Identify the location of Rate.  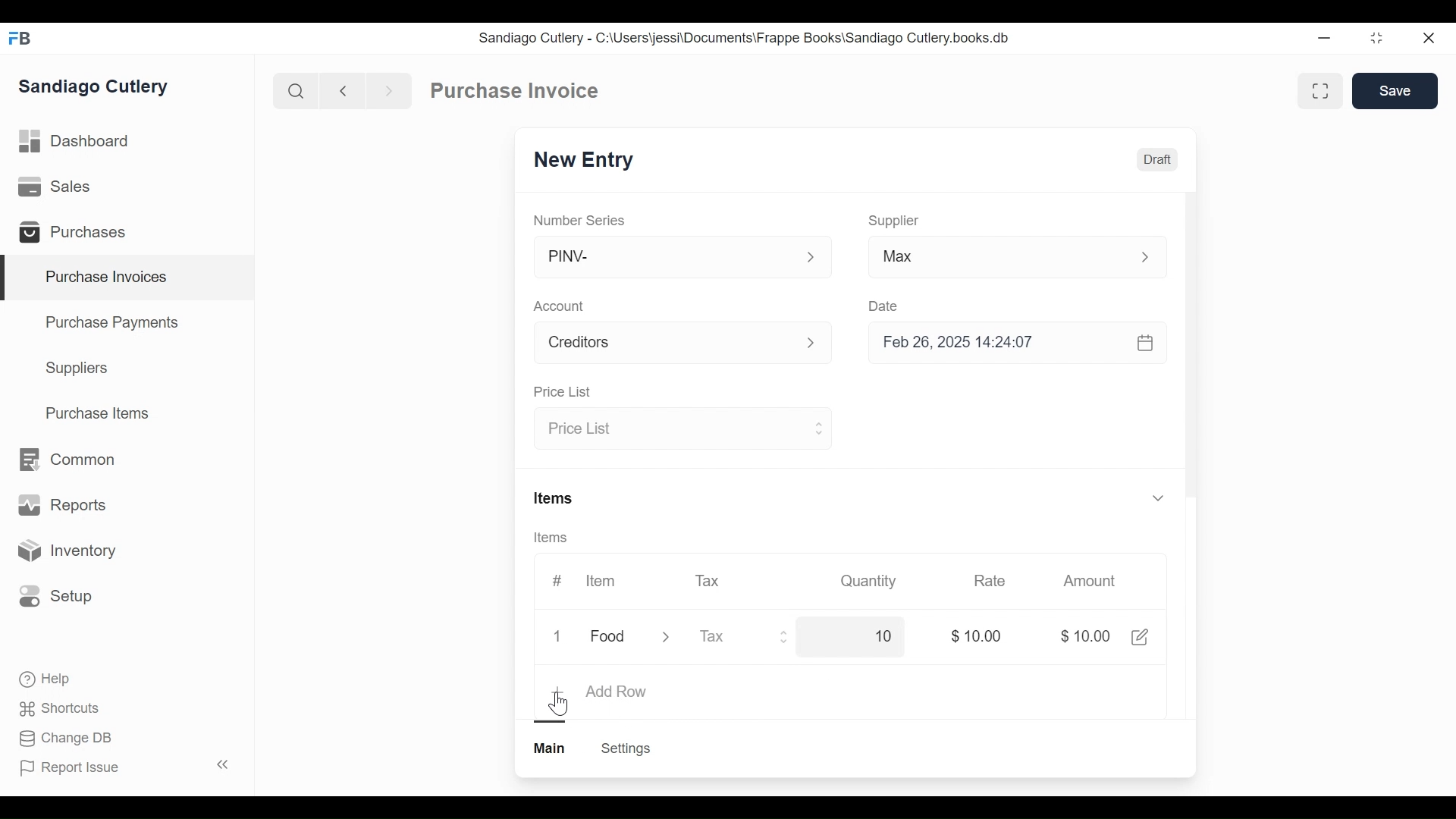
(988, 581).